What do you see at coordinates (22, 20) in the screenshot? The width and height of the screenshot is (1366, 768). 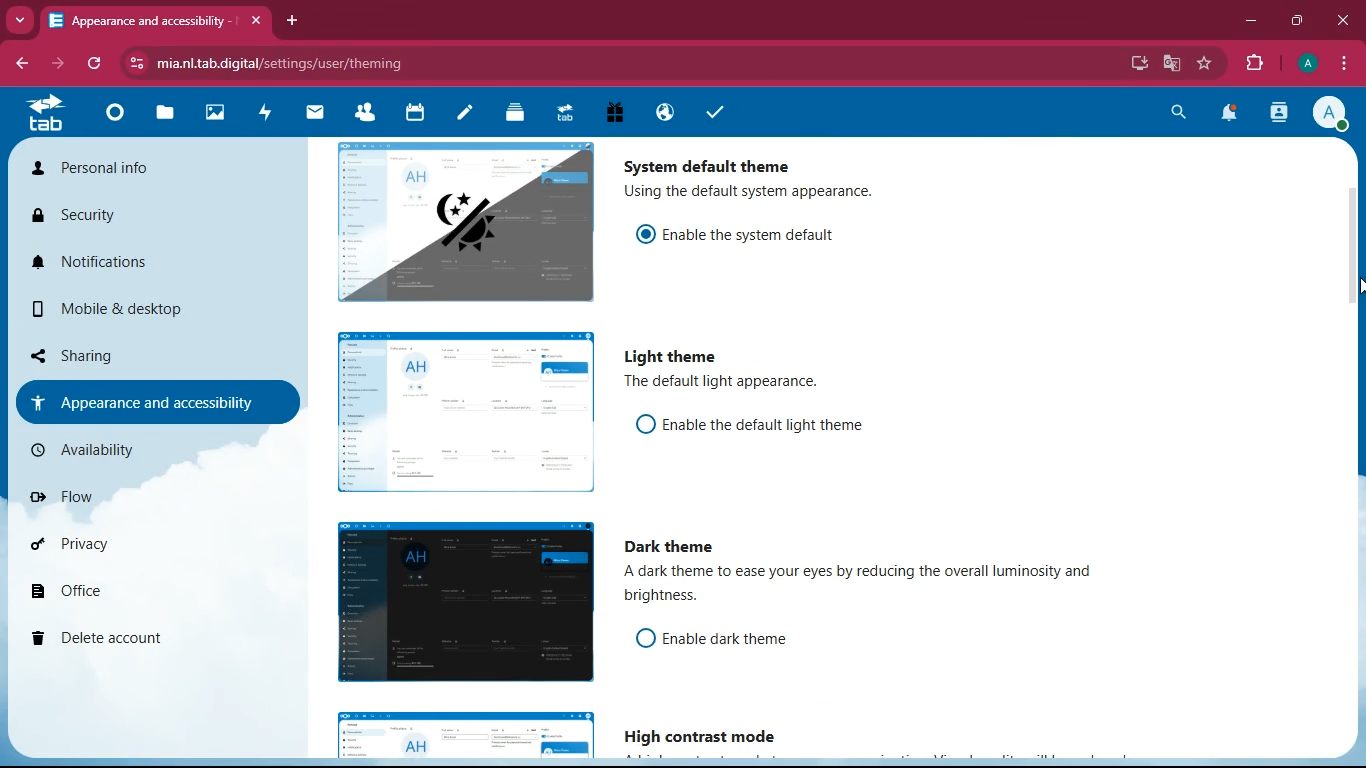 I see `more` at bounding box center [22, 20].